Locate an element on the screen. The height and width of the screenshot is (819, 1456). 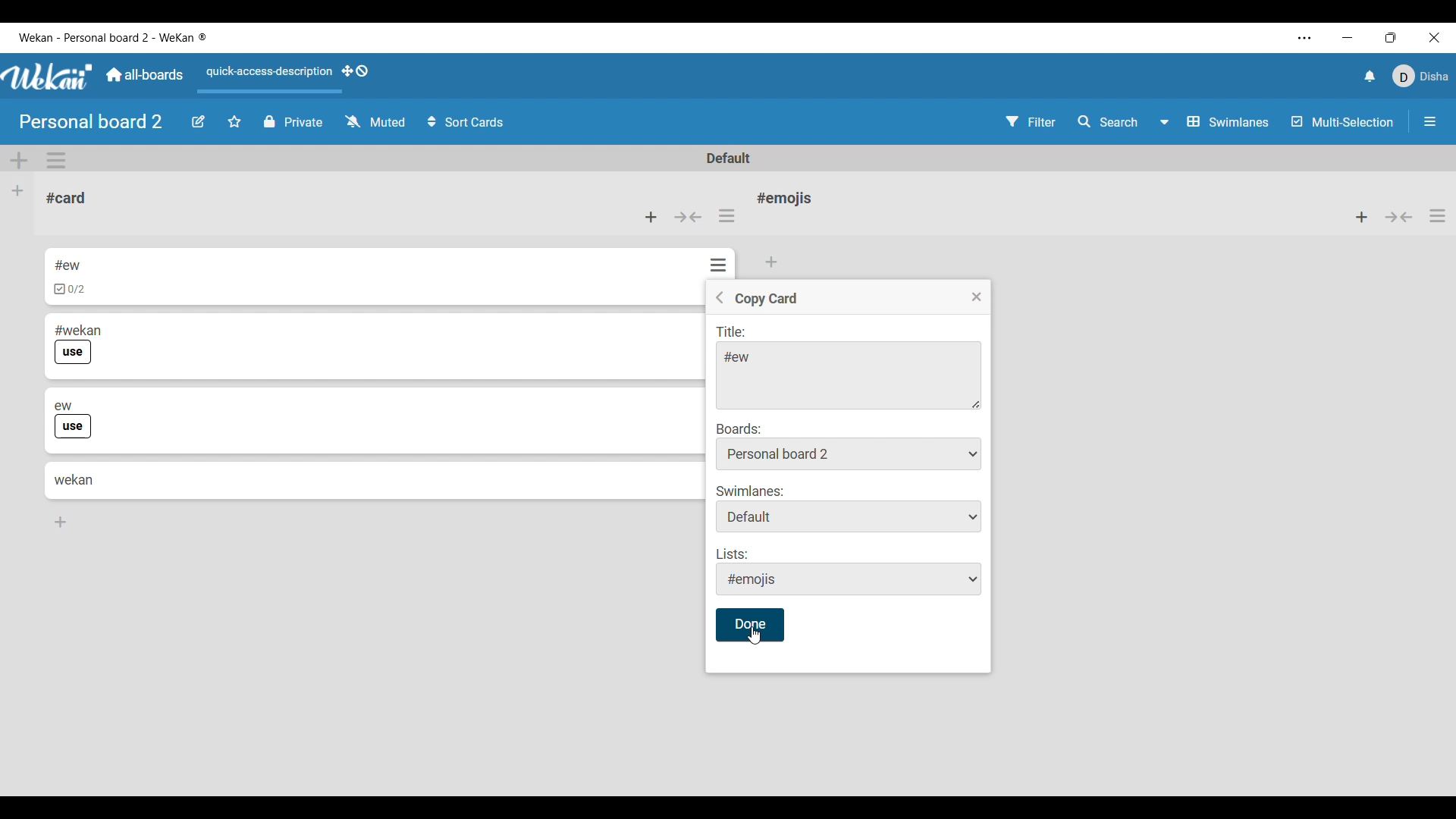
Card 3 is located at coordinates (167, 399).